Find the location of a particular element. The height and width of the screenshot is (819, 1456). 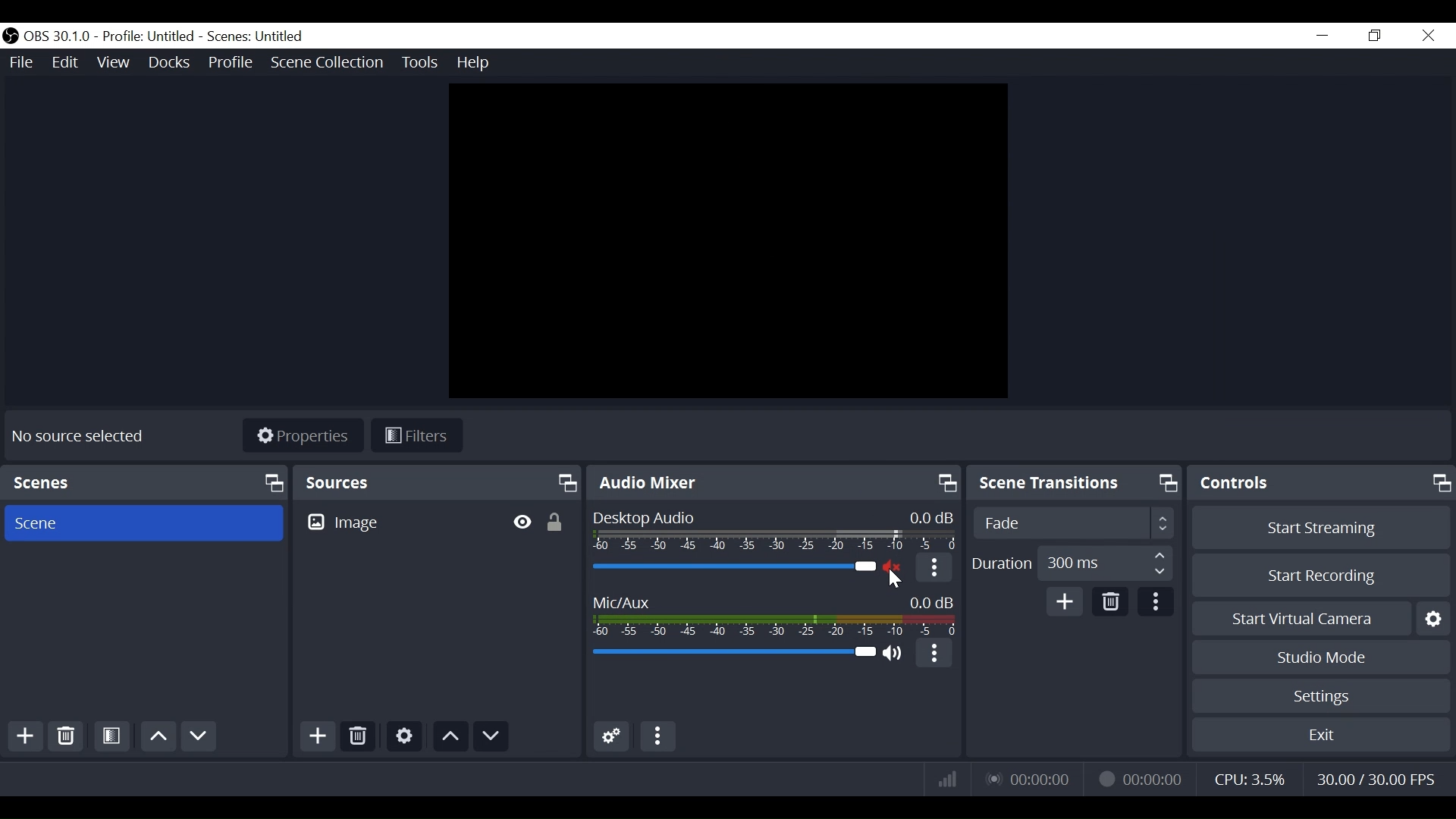

Advanced Audio Settings is located at coordinates (610, 738).